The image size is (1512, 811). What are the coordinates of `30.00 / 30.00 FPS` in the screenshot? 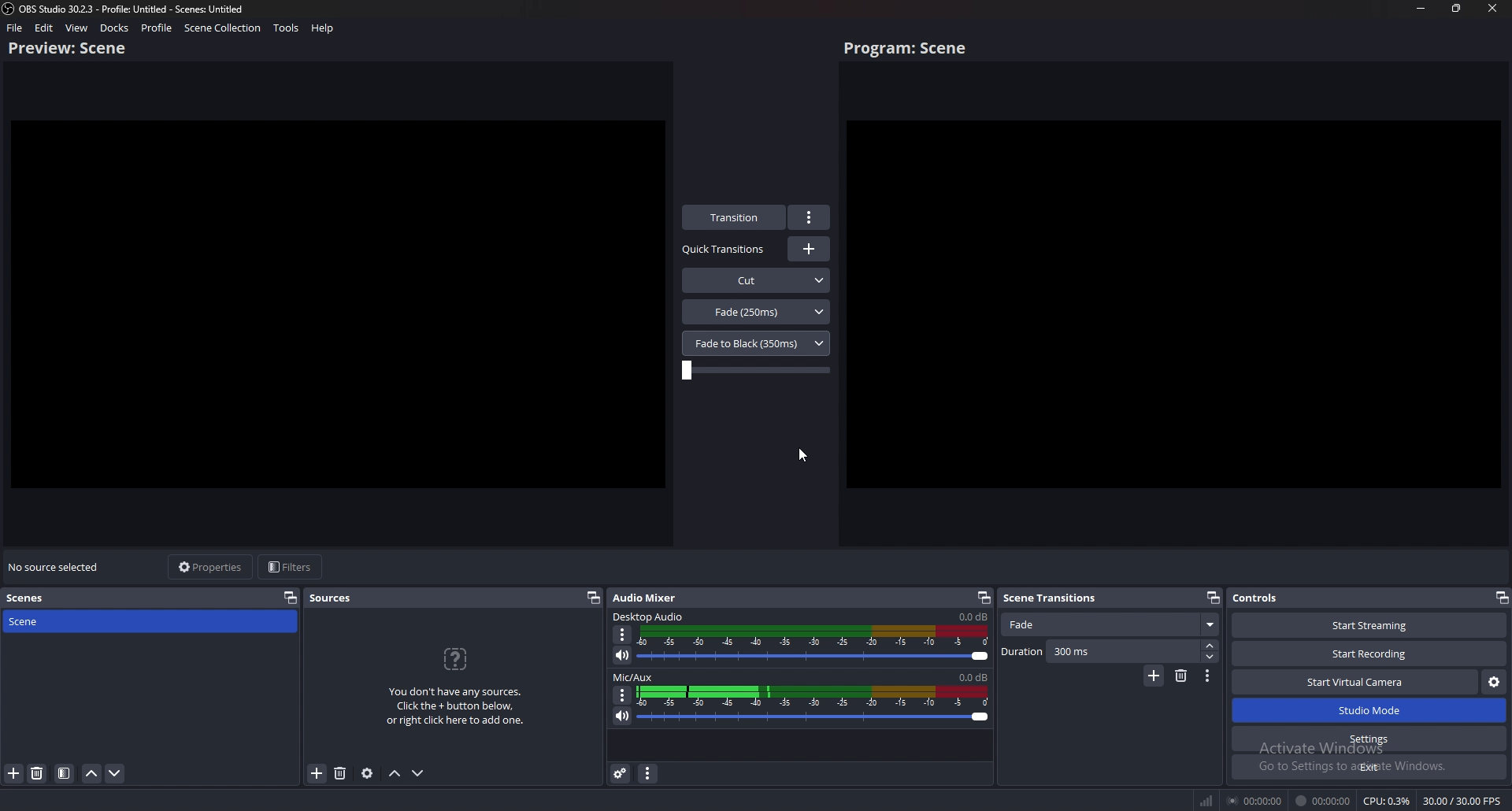 It's located at (1462, 800).